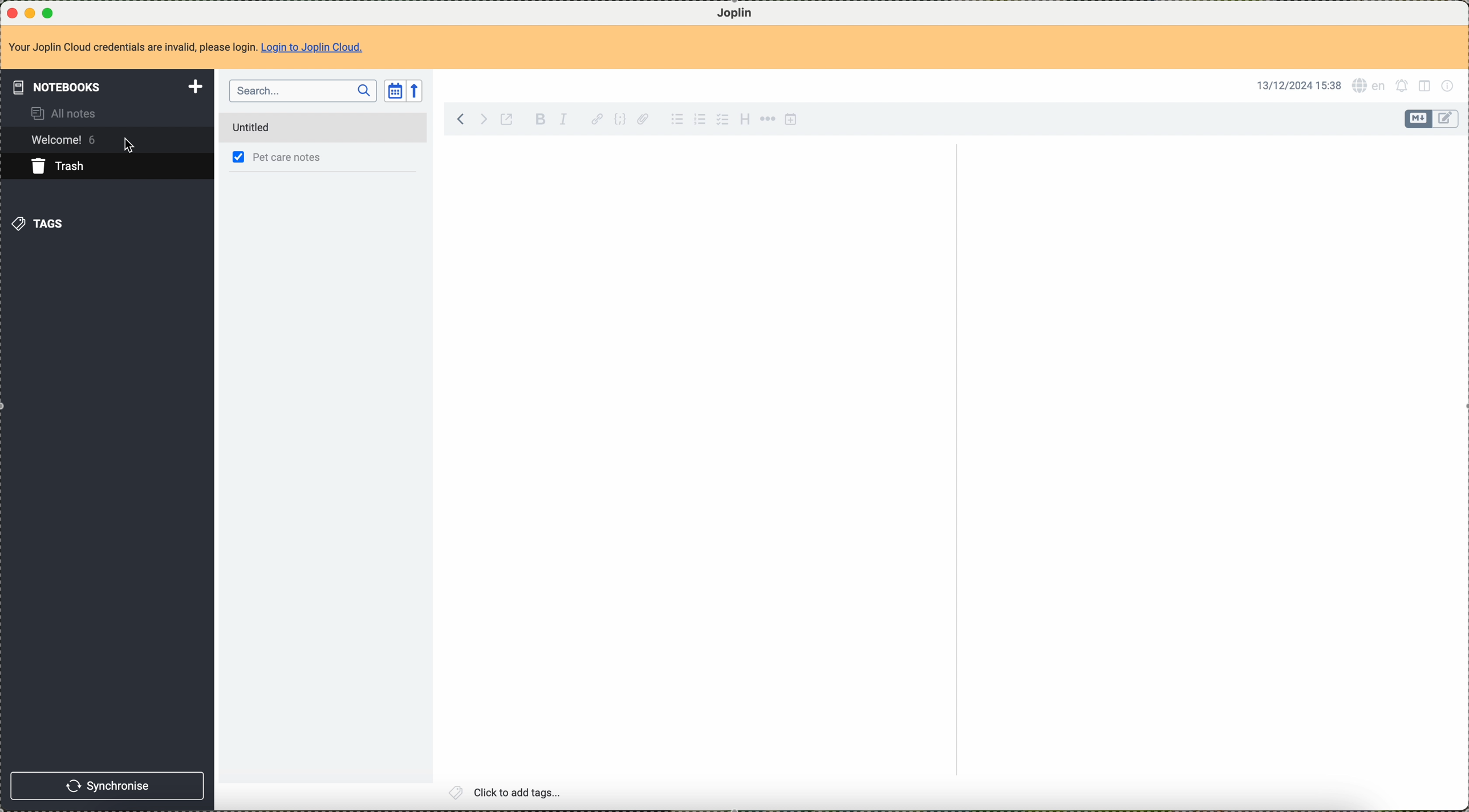  What do you see at coordinates (594, 119) in the screenshot?
I see `hyperlink` at bounding box center [594, 119].